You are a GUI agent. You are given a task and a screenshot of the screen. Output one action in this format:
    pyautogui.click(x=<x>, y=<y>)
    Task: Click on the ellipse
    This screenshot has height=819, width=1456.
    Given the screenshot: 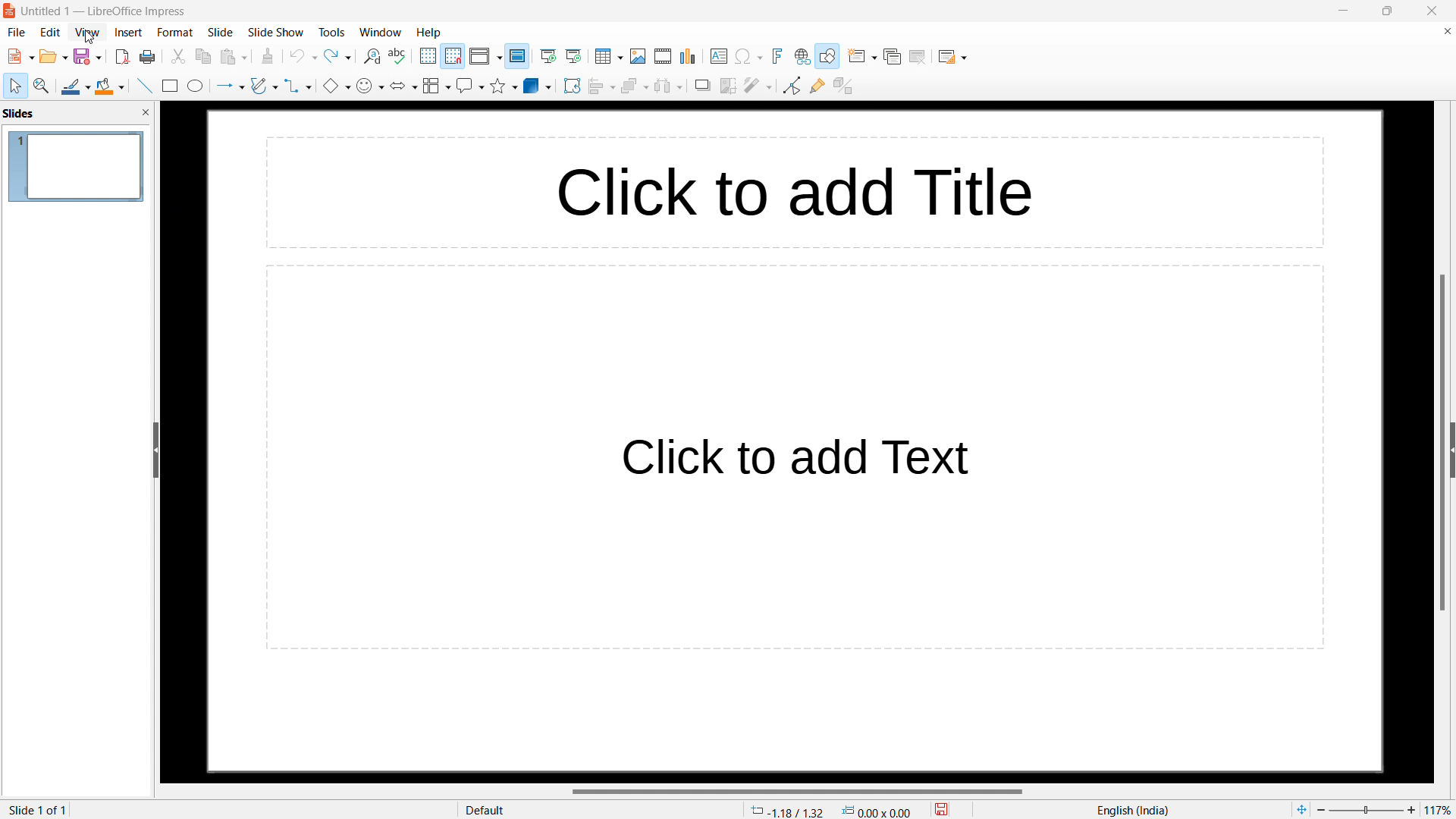 What is the action you would take?
    pyautogui.click(x=196, y=85)
    